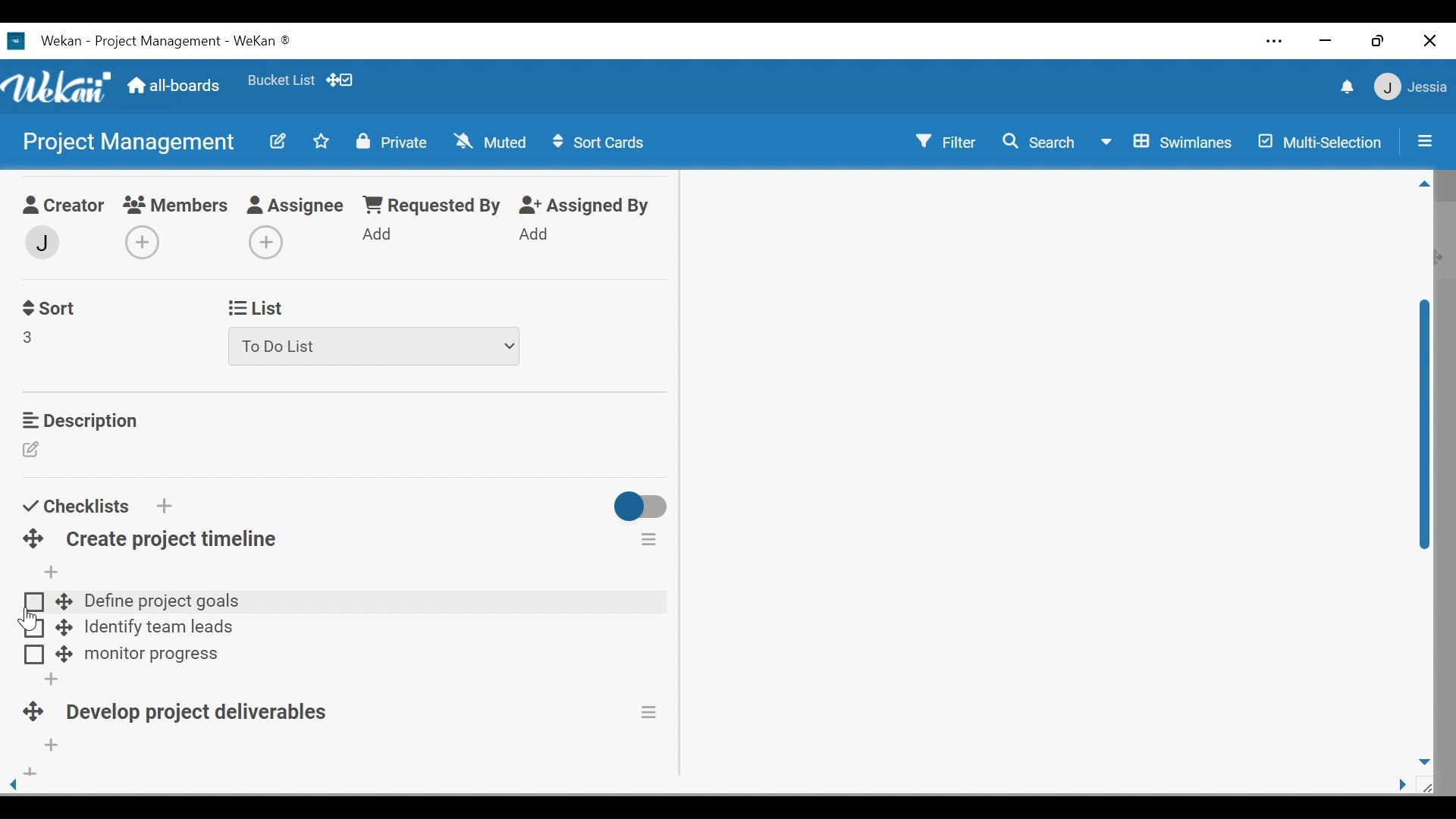  Describe the element at coordinates (375, 347) in the screenshot. I see `List dropdown menu` at that location.